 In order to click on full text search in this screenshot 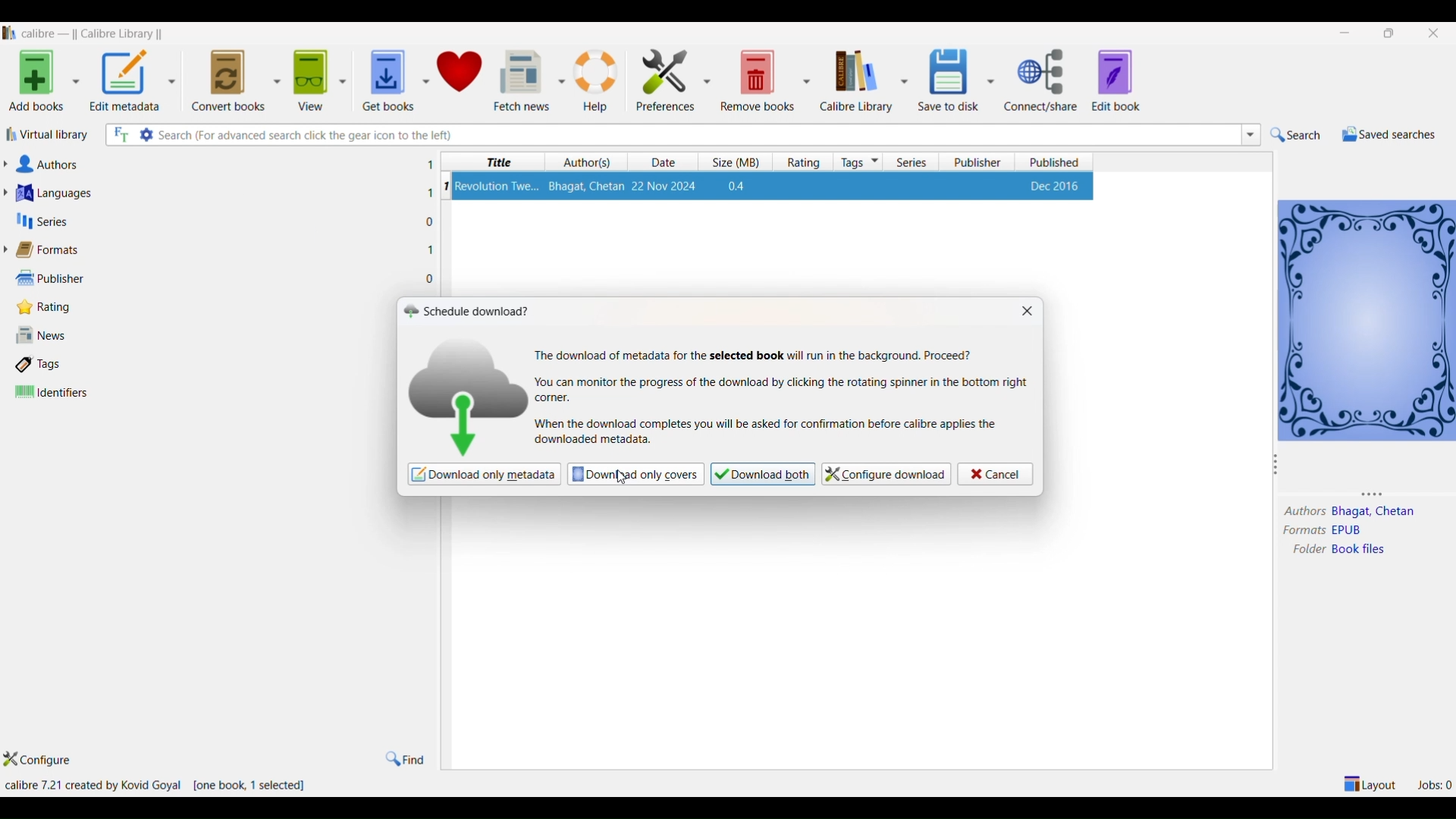, I will do `click(119, 136)`.